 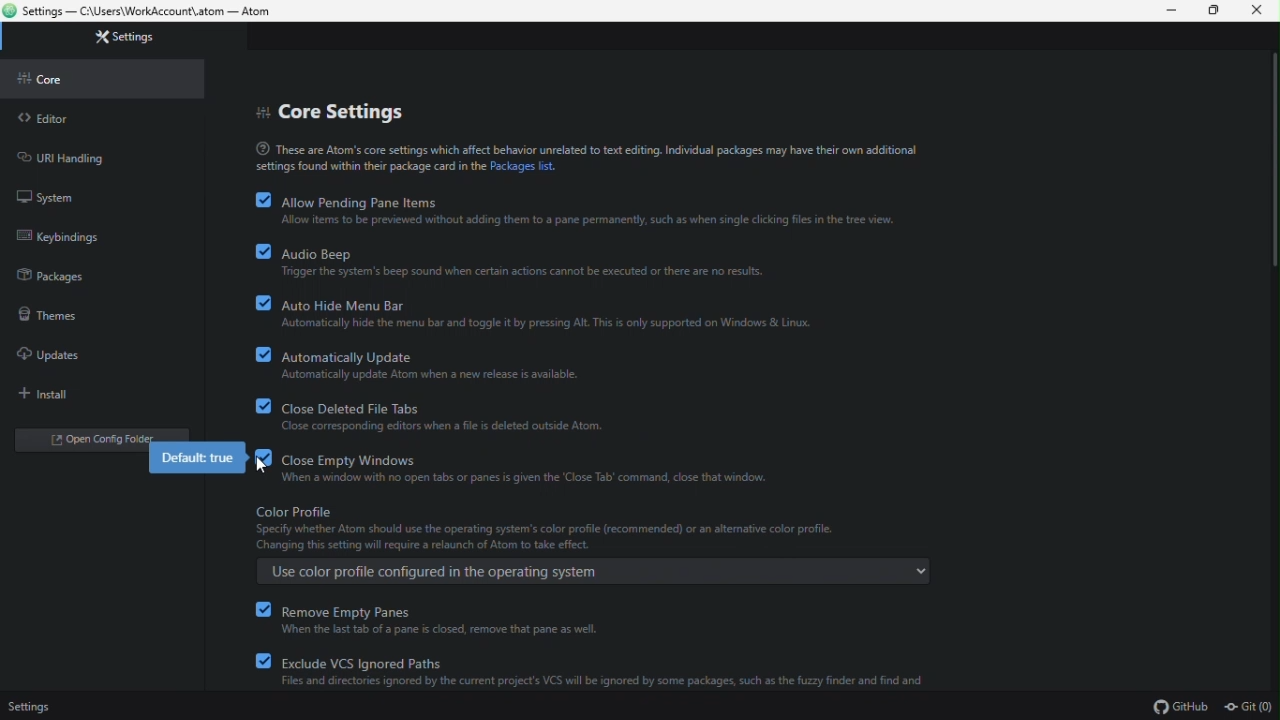 What do you see at coordinates (200, 460) in the screenshot?
I see `default true` at bounding box center [200, 460].